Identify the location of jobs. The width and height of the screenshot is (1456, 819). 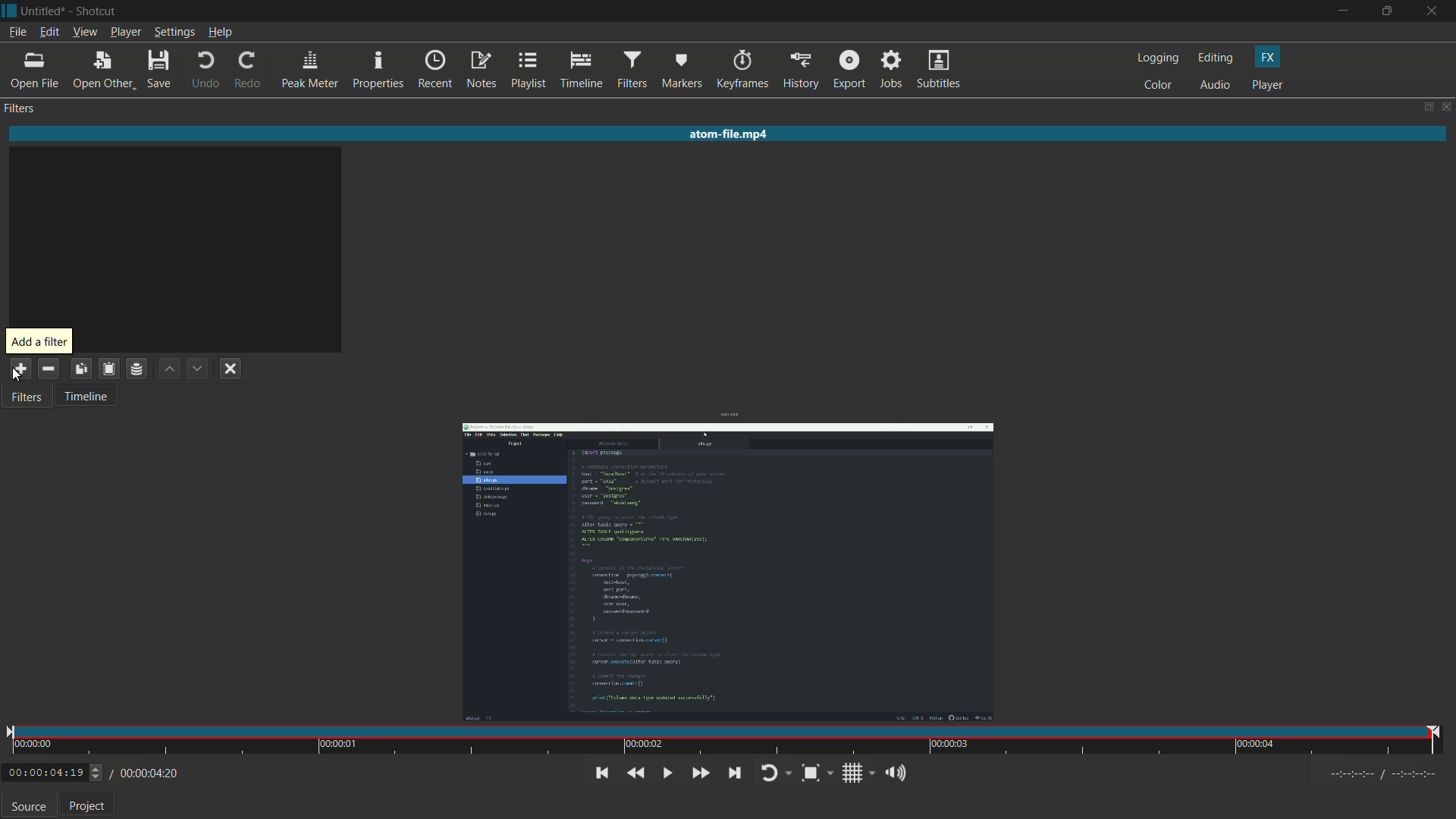
(888, 71).